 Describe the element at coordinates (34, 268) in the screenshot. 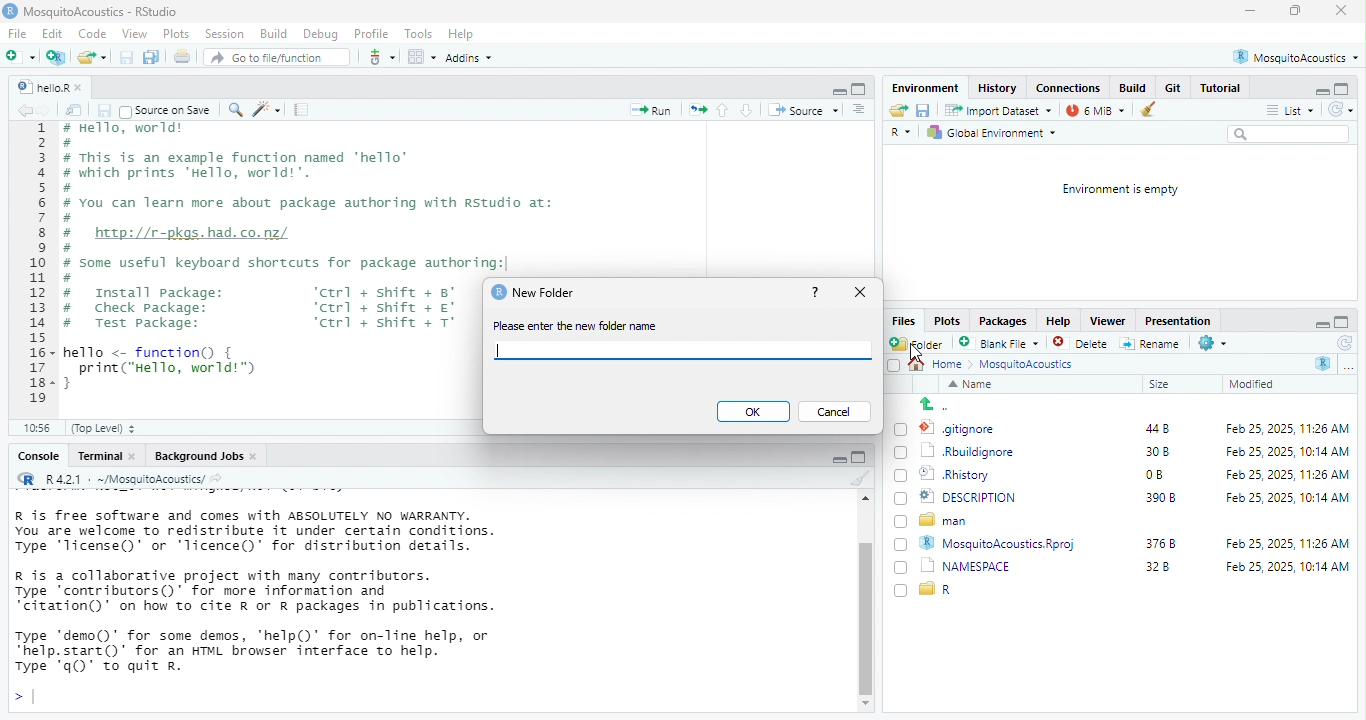

I see `+
2
3
4
5
6
7
8
9

10
11
12
13
14
15
16
17
18
19` at that location.